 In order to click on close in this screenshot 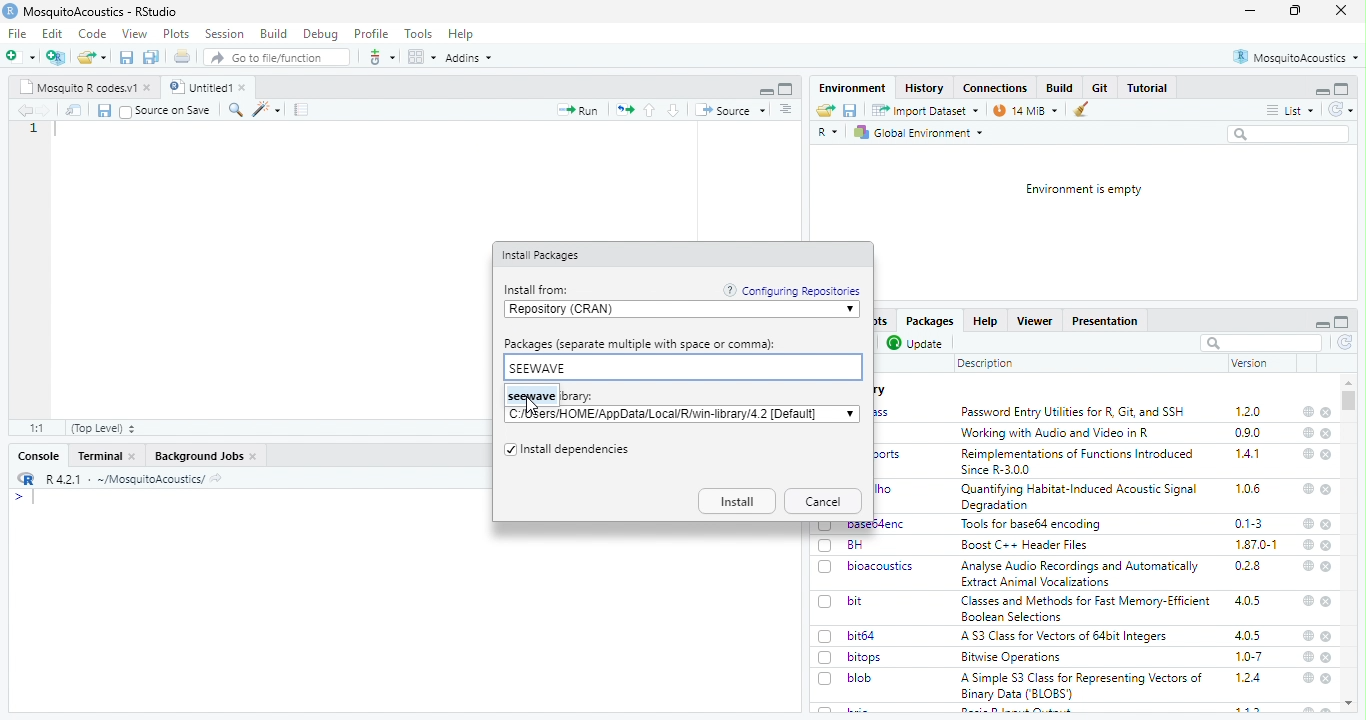, I will do `click(1328, 413)`.